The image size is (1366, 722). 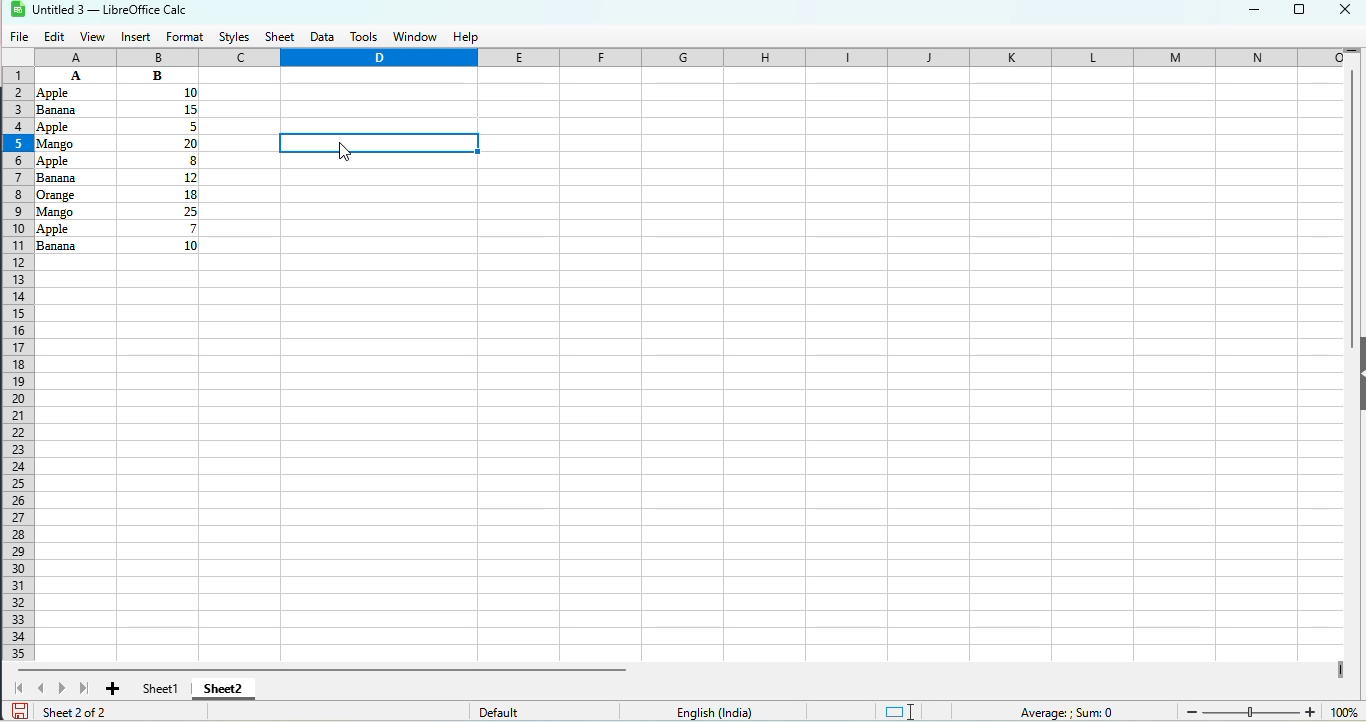 What do you see at coordinates (1345, 712) in the screenshot?
I see `zoom` at bounding box center [1345, 712].